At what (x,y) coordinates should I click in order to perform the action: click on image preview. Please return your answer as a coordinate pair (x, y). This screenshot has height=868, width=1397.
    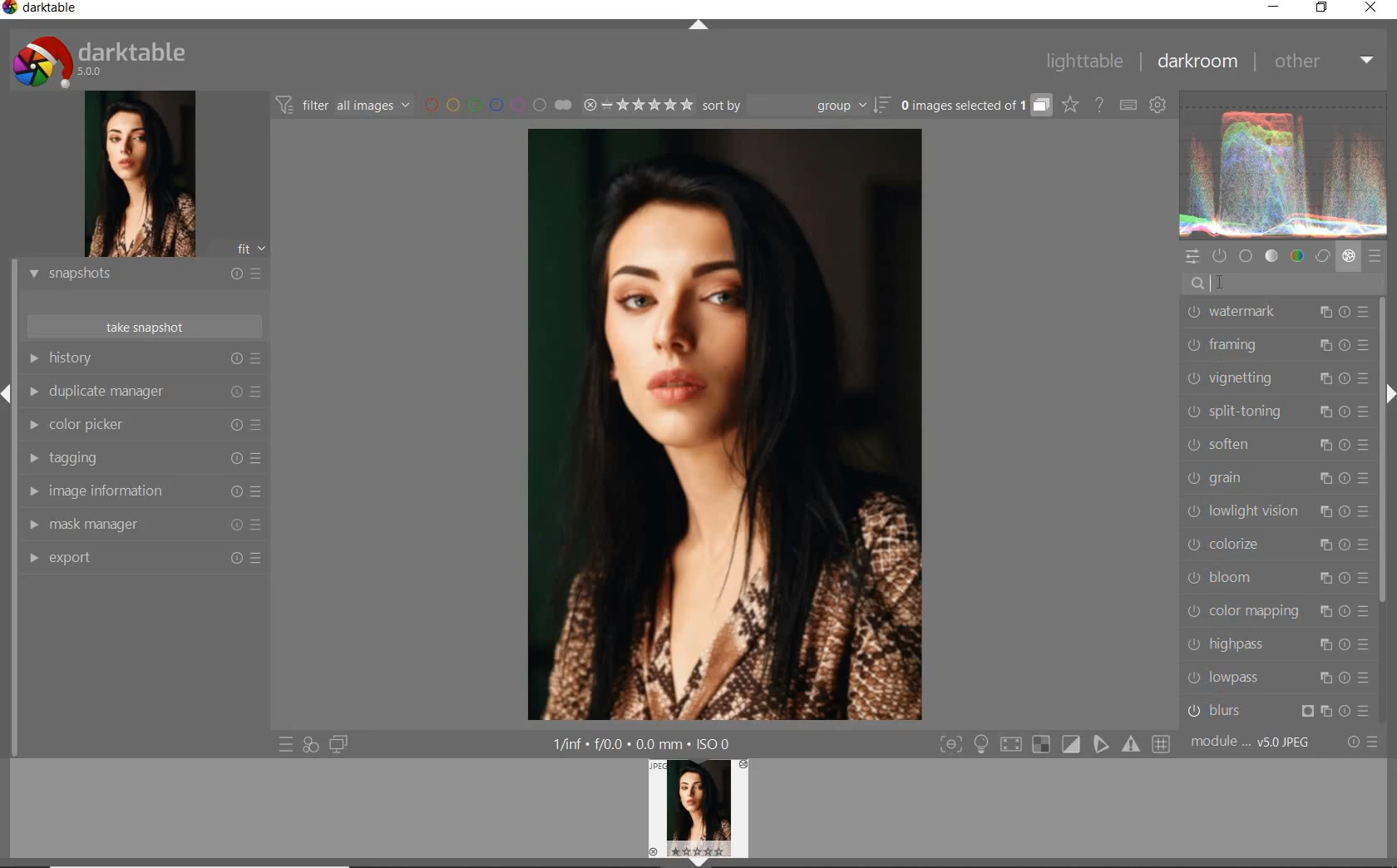
    Looking at the image, I should click on (141, 174).